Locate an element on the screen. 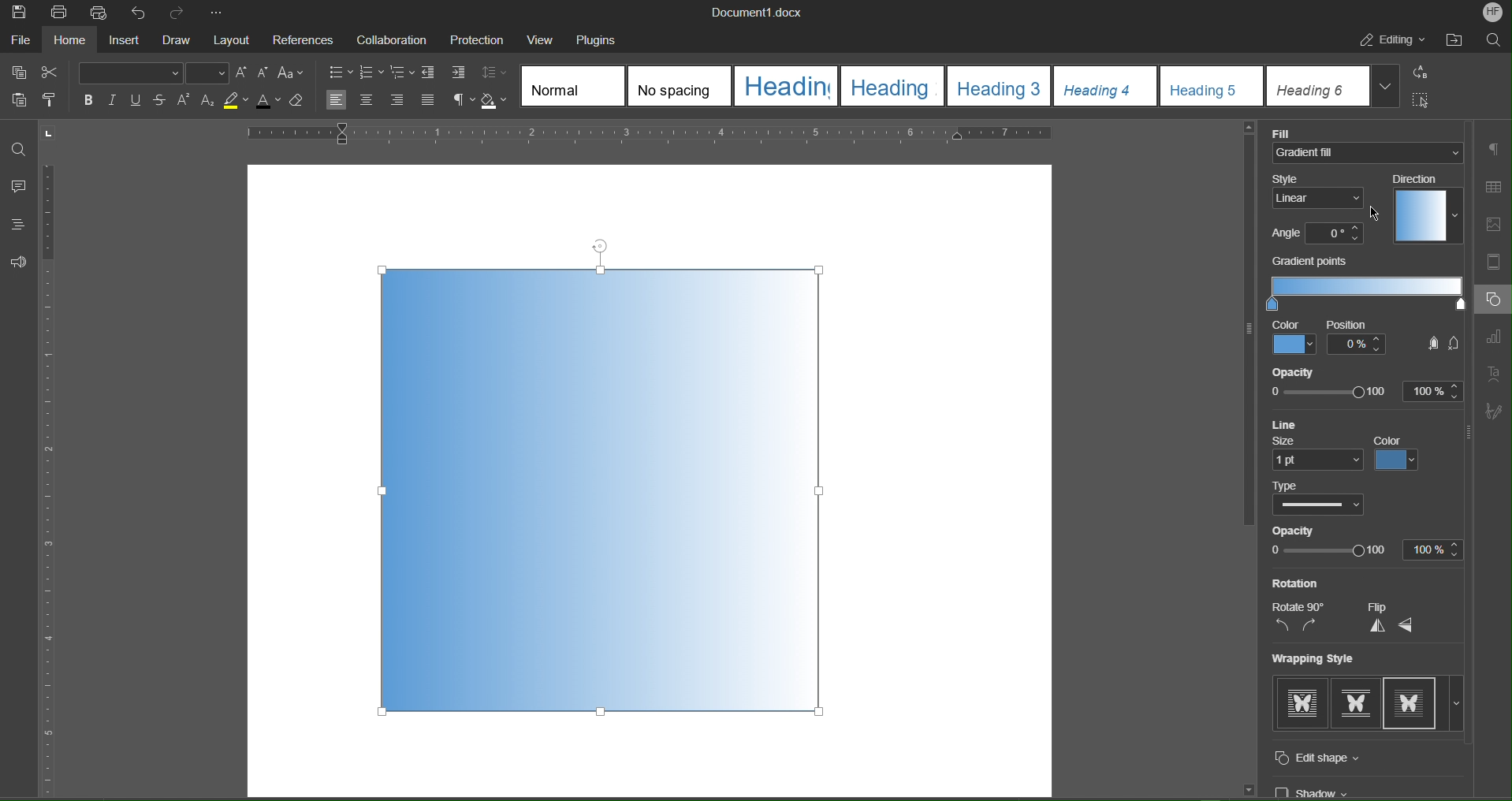 This screenshot has height=801, width=1512. Copy is located at coordinates (18, 73).